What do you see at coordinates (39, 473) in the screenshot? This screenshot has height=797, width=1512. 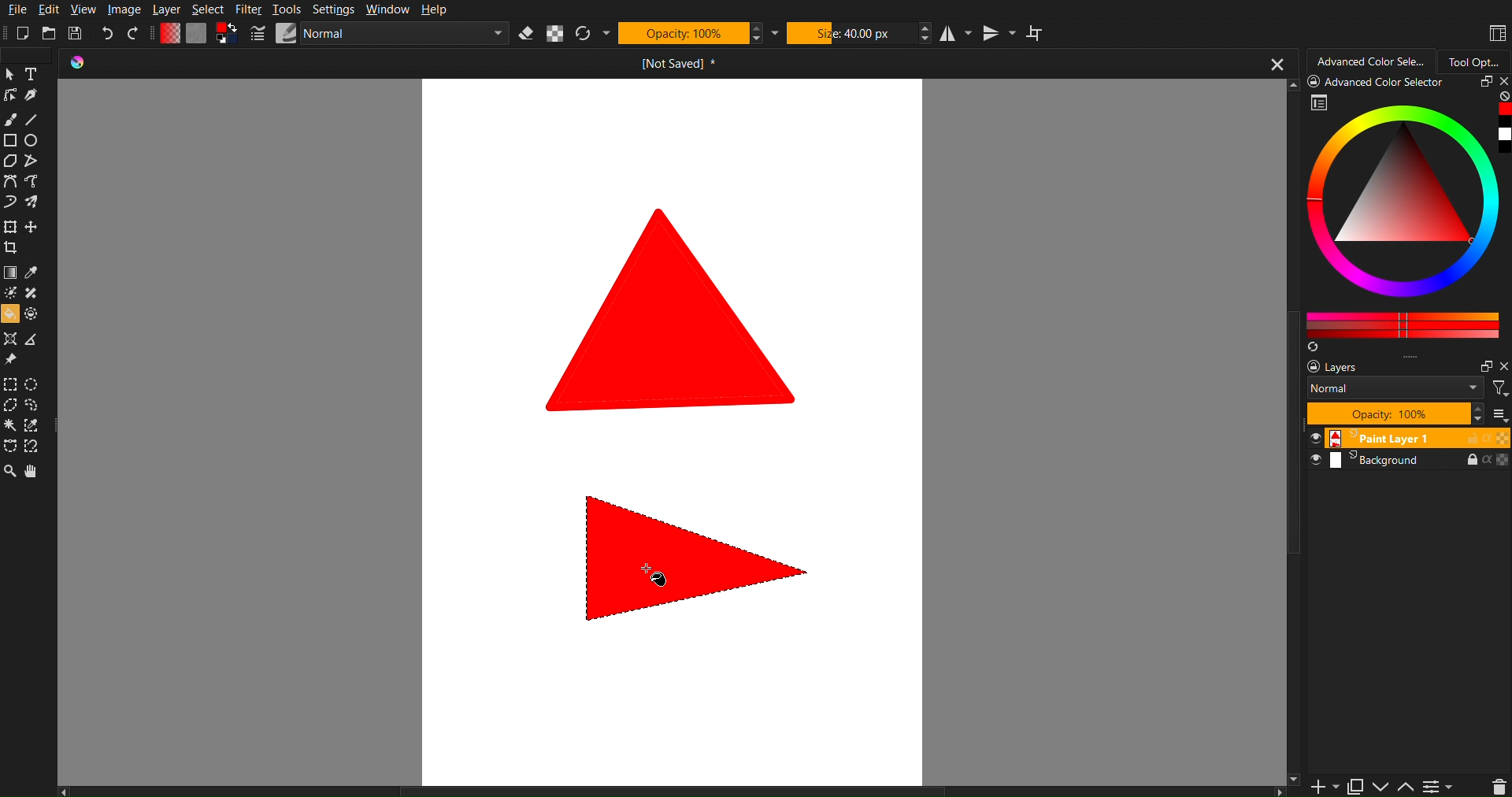 I see `Pan` at bounding box center [39, 473].